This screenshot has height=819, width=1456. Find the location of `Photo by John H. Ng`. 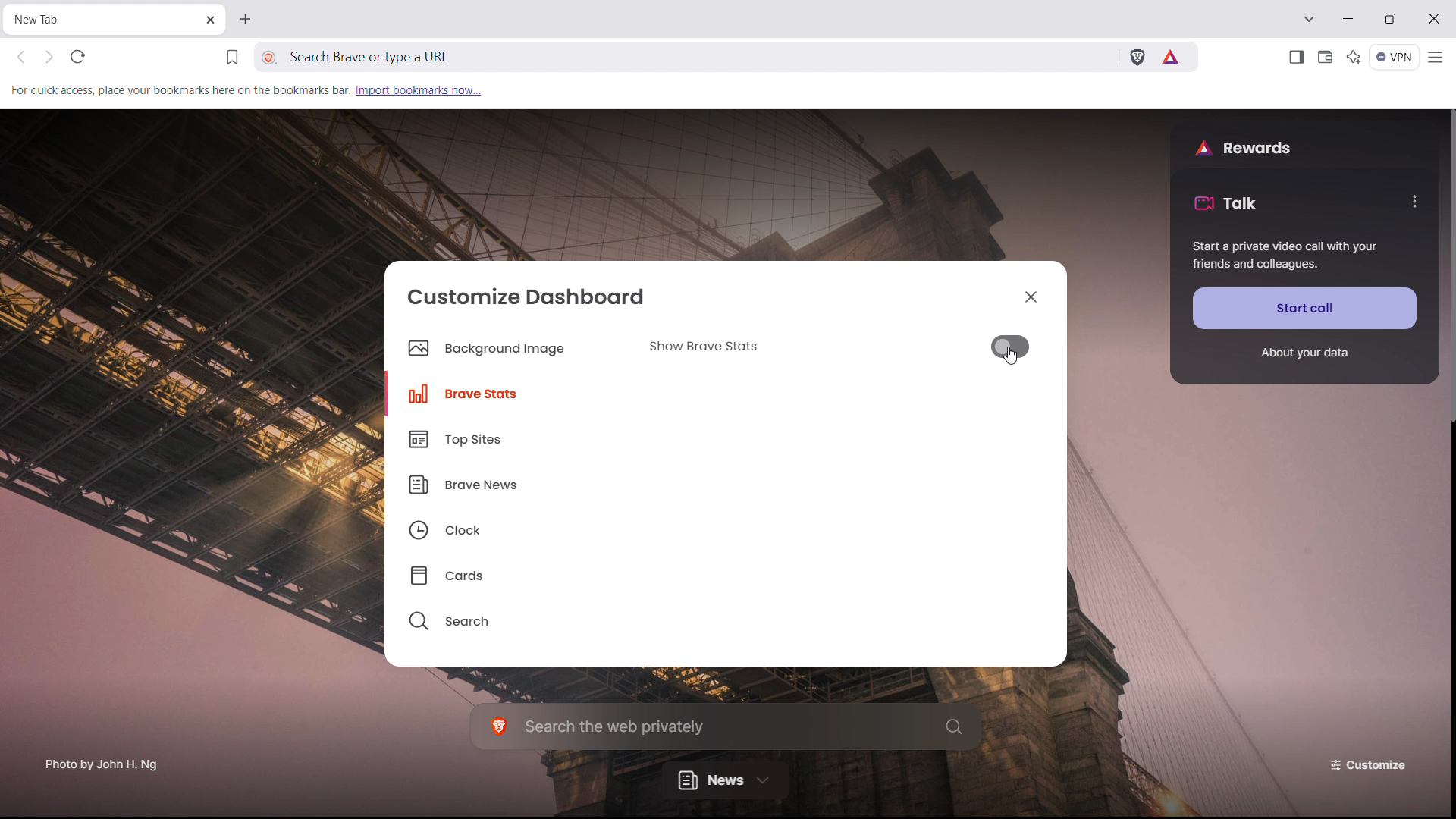

Photo by John H. Ng is located at coordinates (102, 759).